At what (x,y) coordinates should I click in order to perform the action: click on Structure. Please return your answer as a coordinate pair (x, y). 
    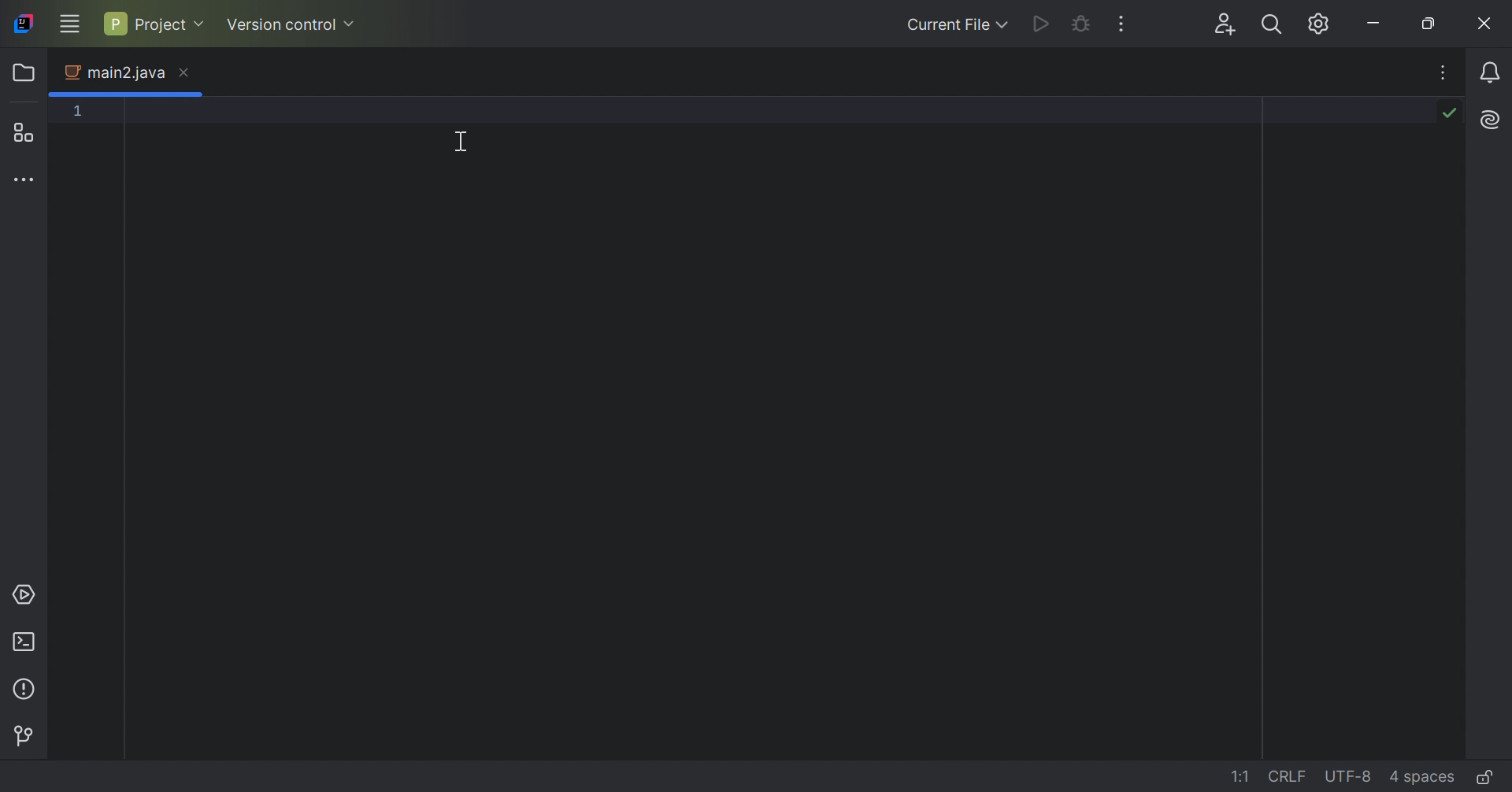
    Looking at the image, I should click on (23, 131).